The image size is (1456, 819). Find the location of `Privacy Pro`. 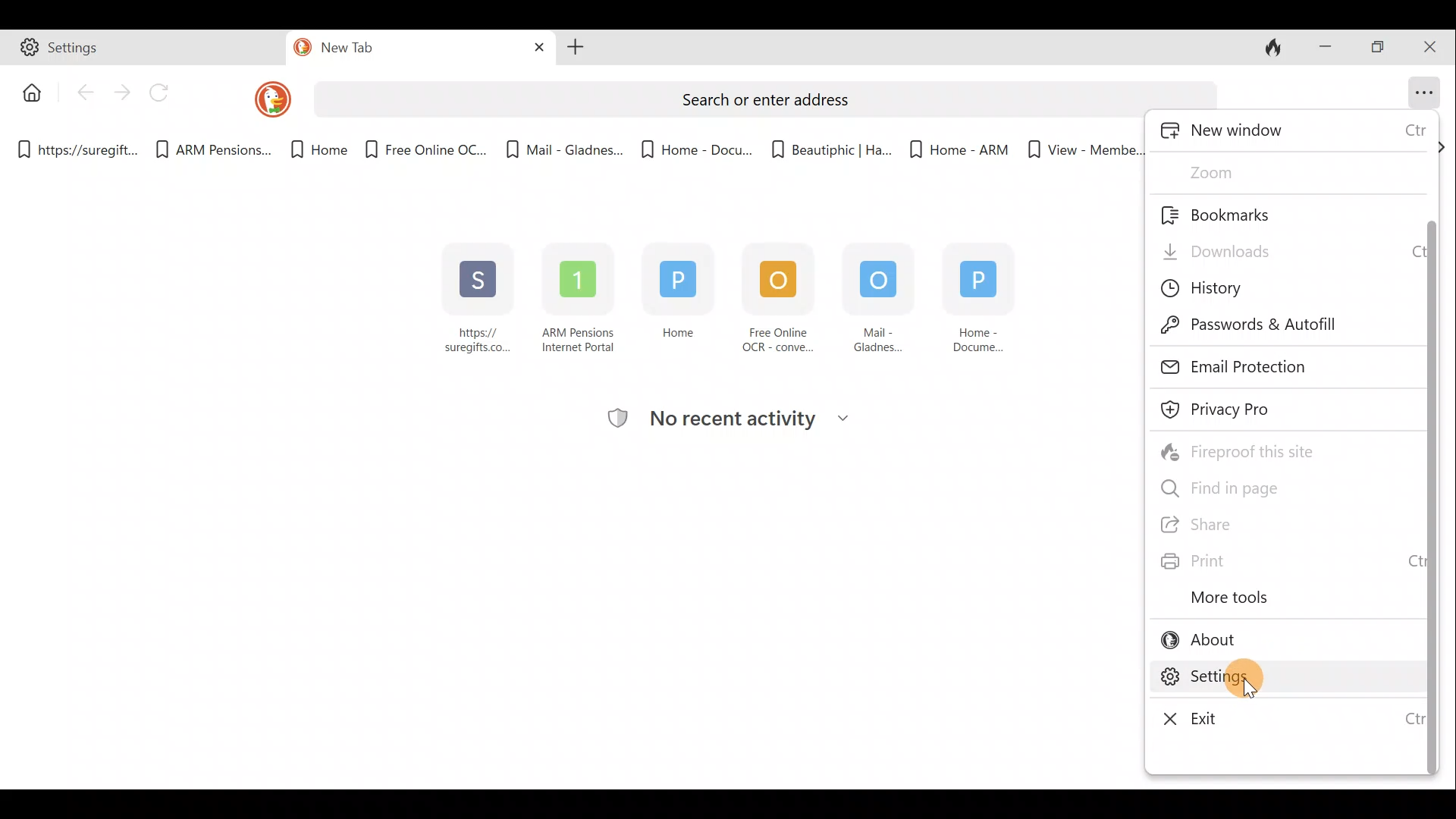

Privacy Pro is located at coordinates (1235, 409).